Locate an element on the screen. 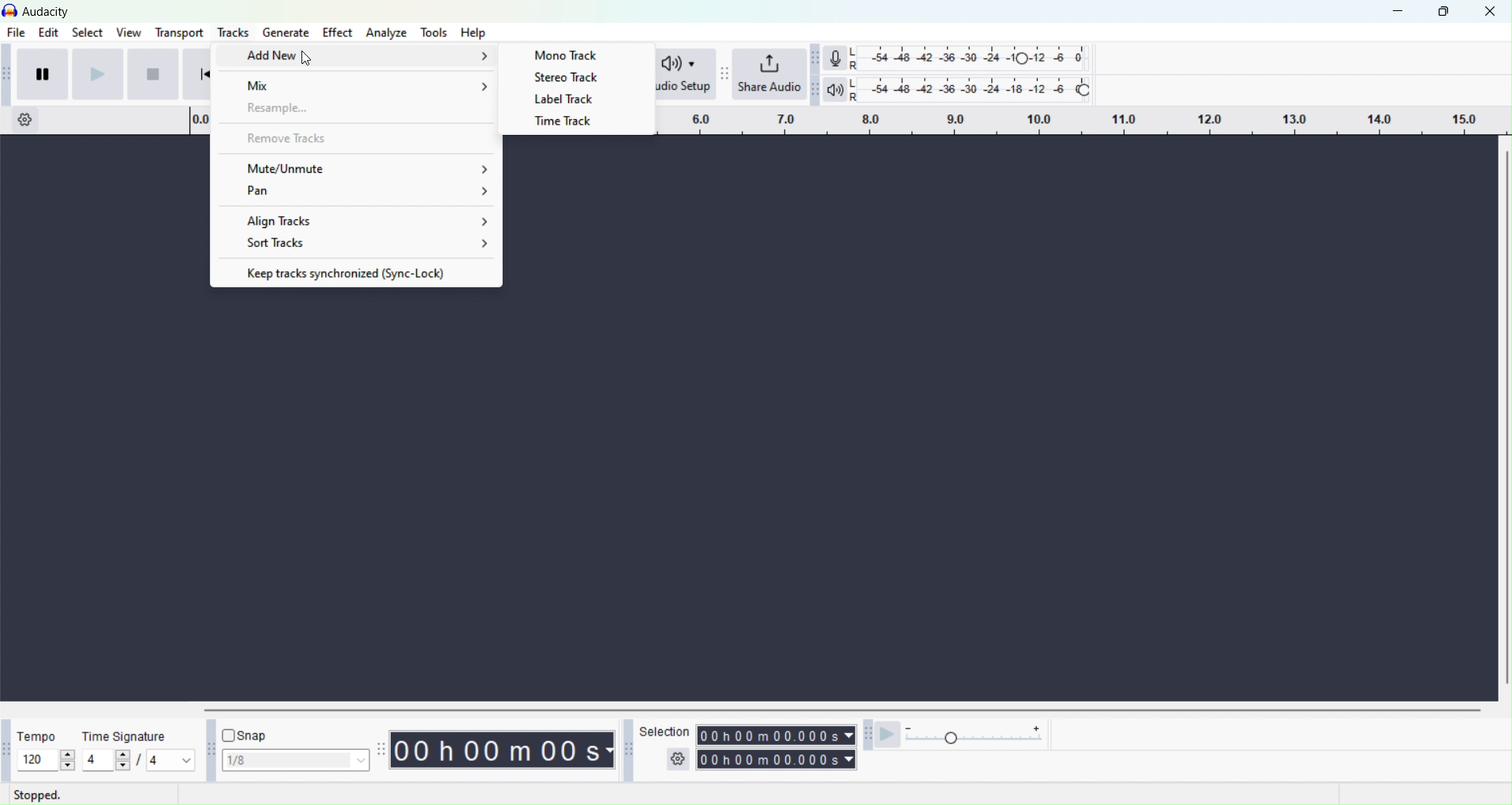 The width and height of the screenshot is (1512, 805). decrease beat per measure is located at coordinates (121, 767).